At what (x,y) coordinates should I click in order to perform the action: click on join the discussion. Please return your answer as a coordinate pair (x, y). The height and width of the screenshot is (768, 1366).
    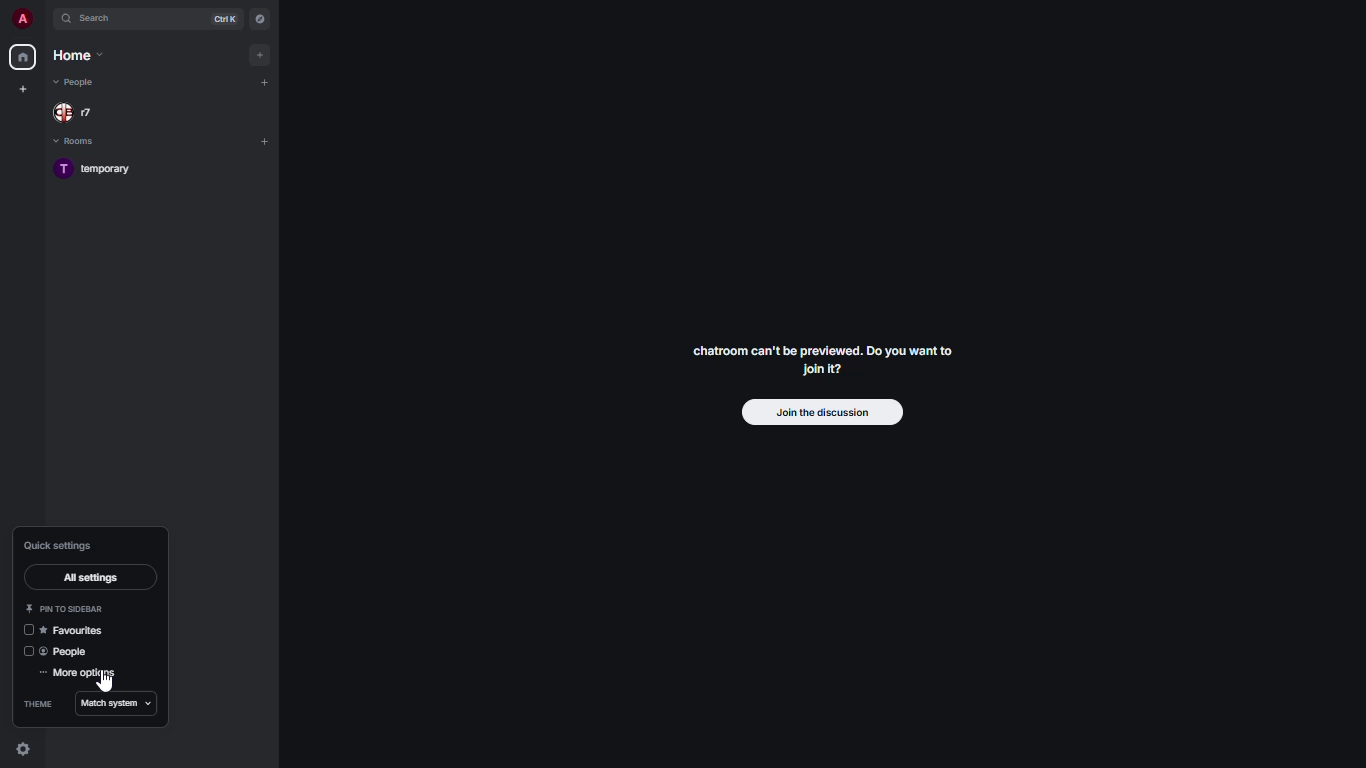
    Looking at the image, I should click on (824, 413).